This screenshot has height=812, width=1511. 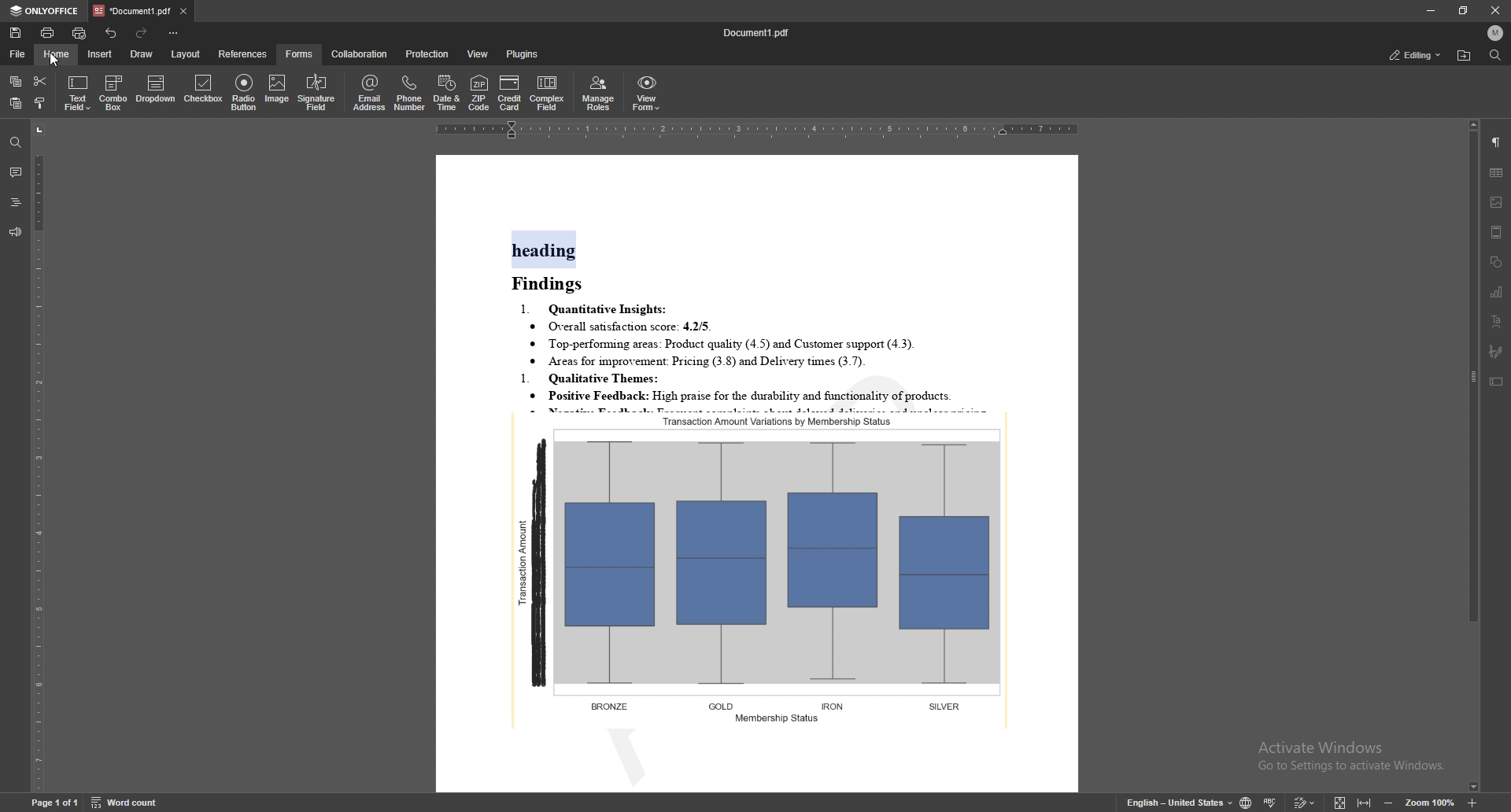 What do you see at coordinates (511, 93) in the screenshot?
I see `credit card` at bounding box center [511, 93].